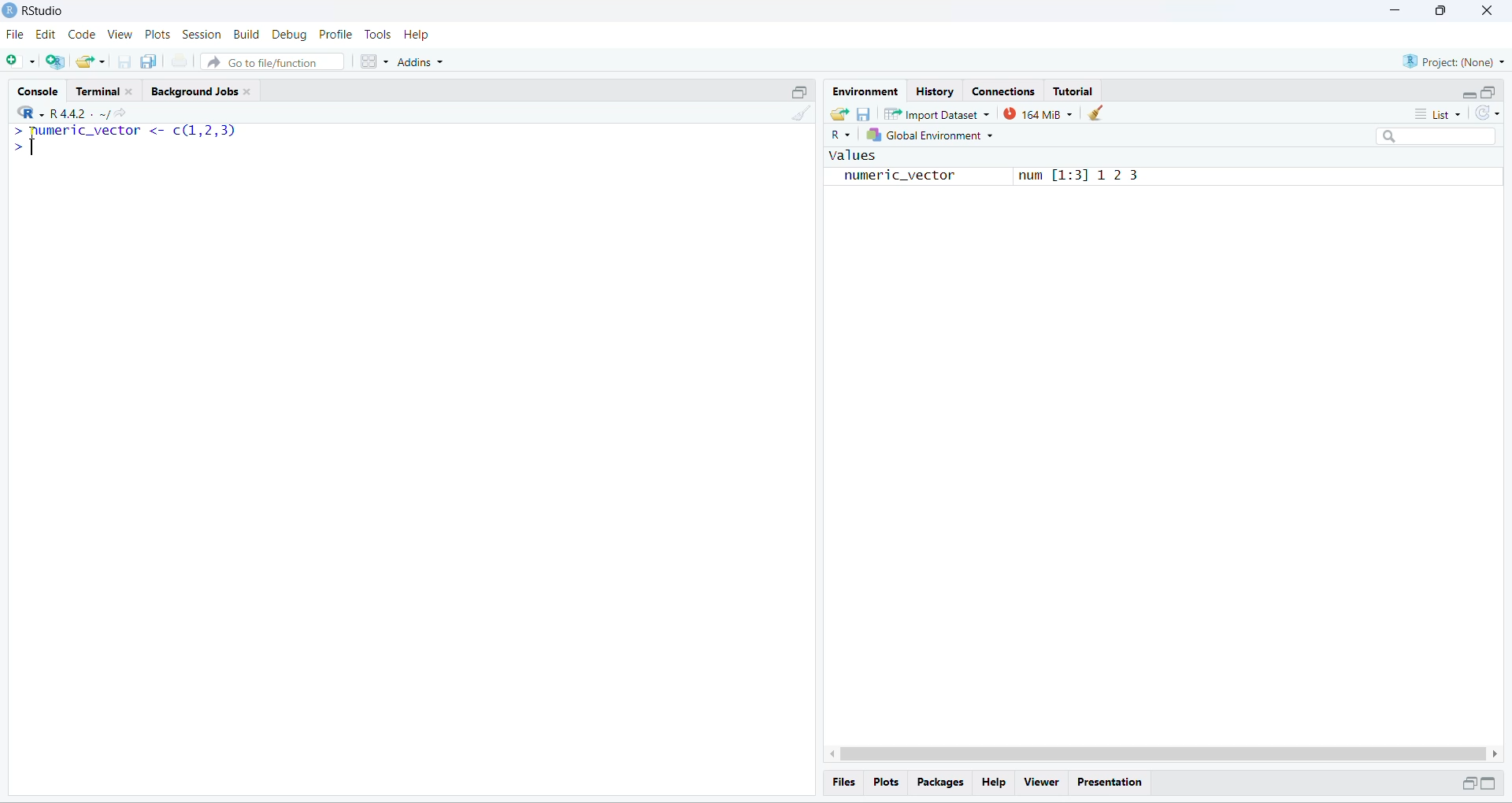  I want to click on minimize, so click(1469, 96).